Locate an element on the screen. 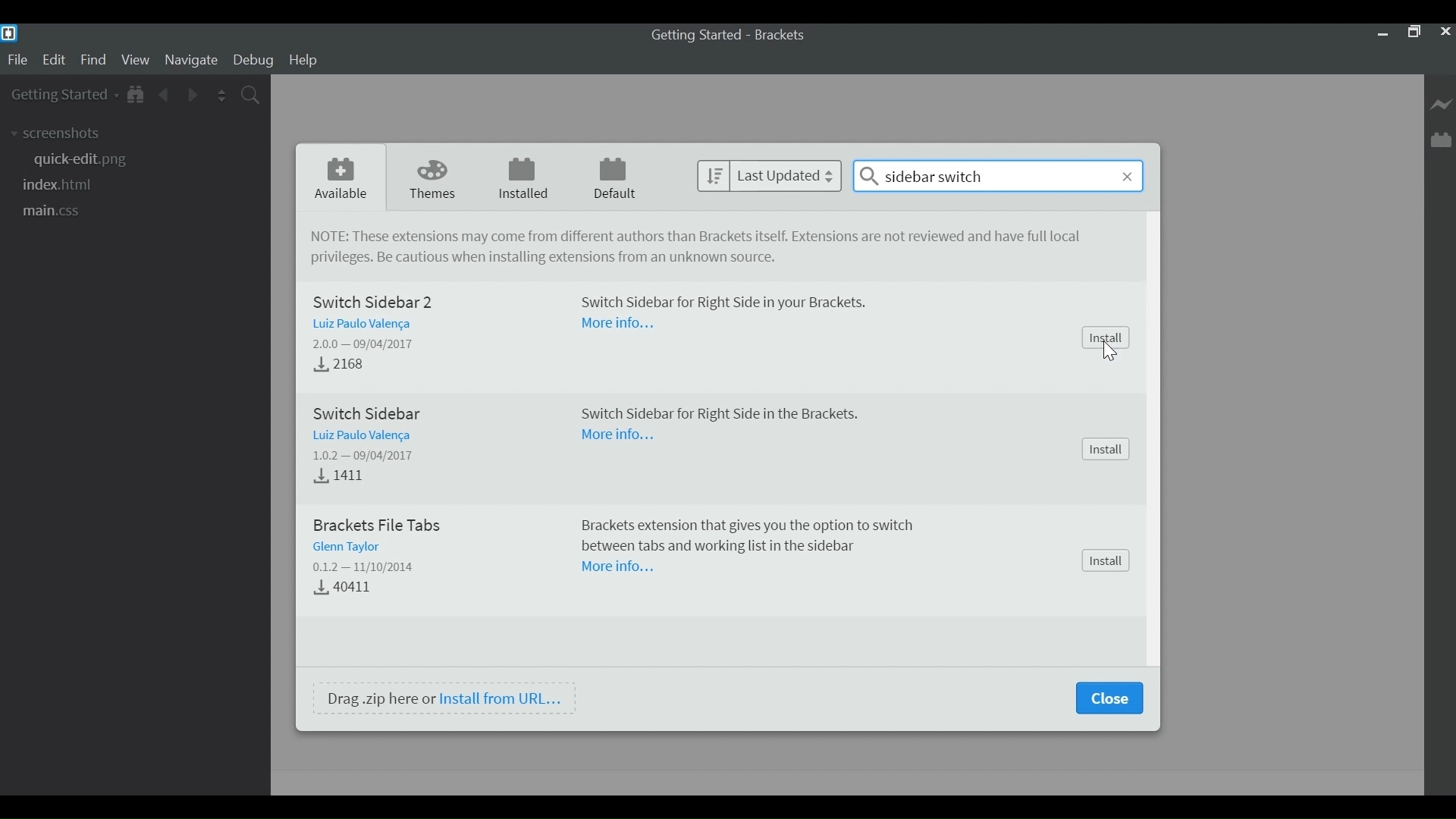  Manage Extensions is located at coordinates (1443, 139).